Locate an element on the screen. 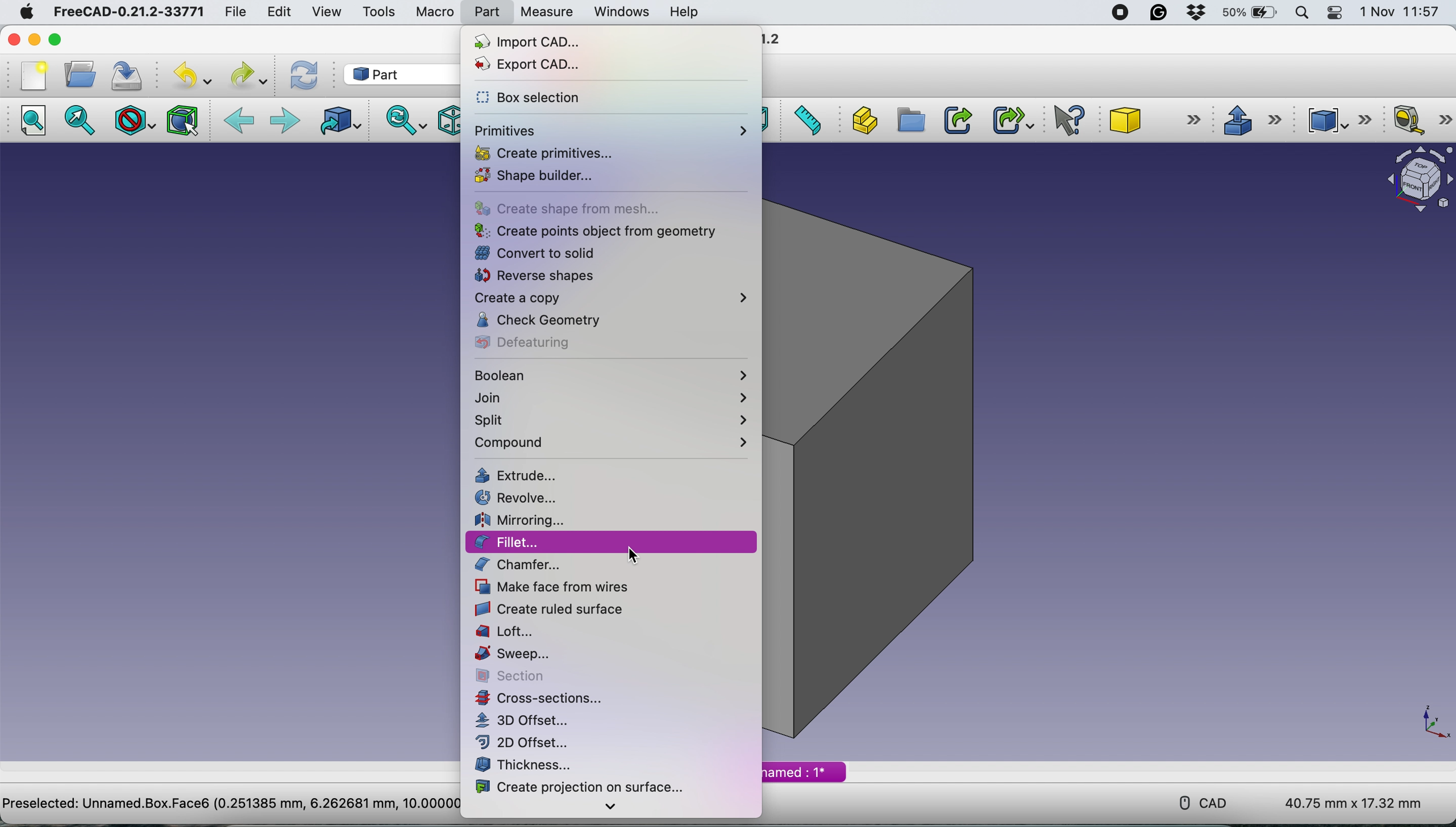 The image size is (1456, 827). dimensions 40.75 mm x 17.32mm is located at coordinates (1356, 803).